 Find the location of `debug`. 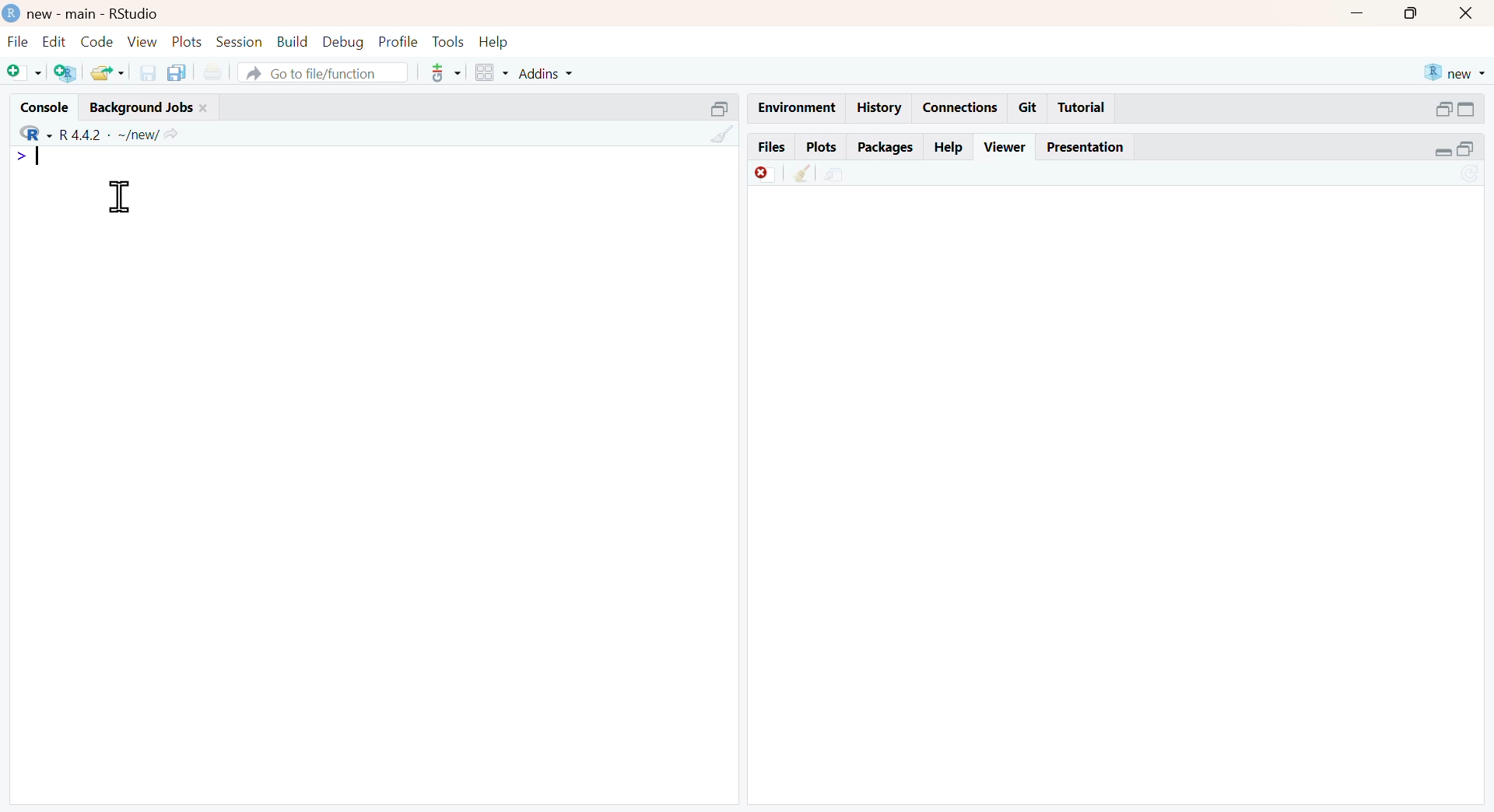

debug is located at coordinates (345, 42).